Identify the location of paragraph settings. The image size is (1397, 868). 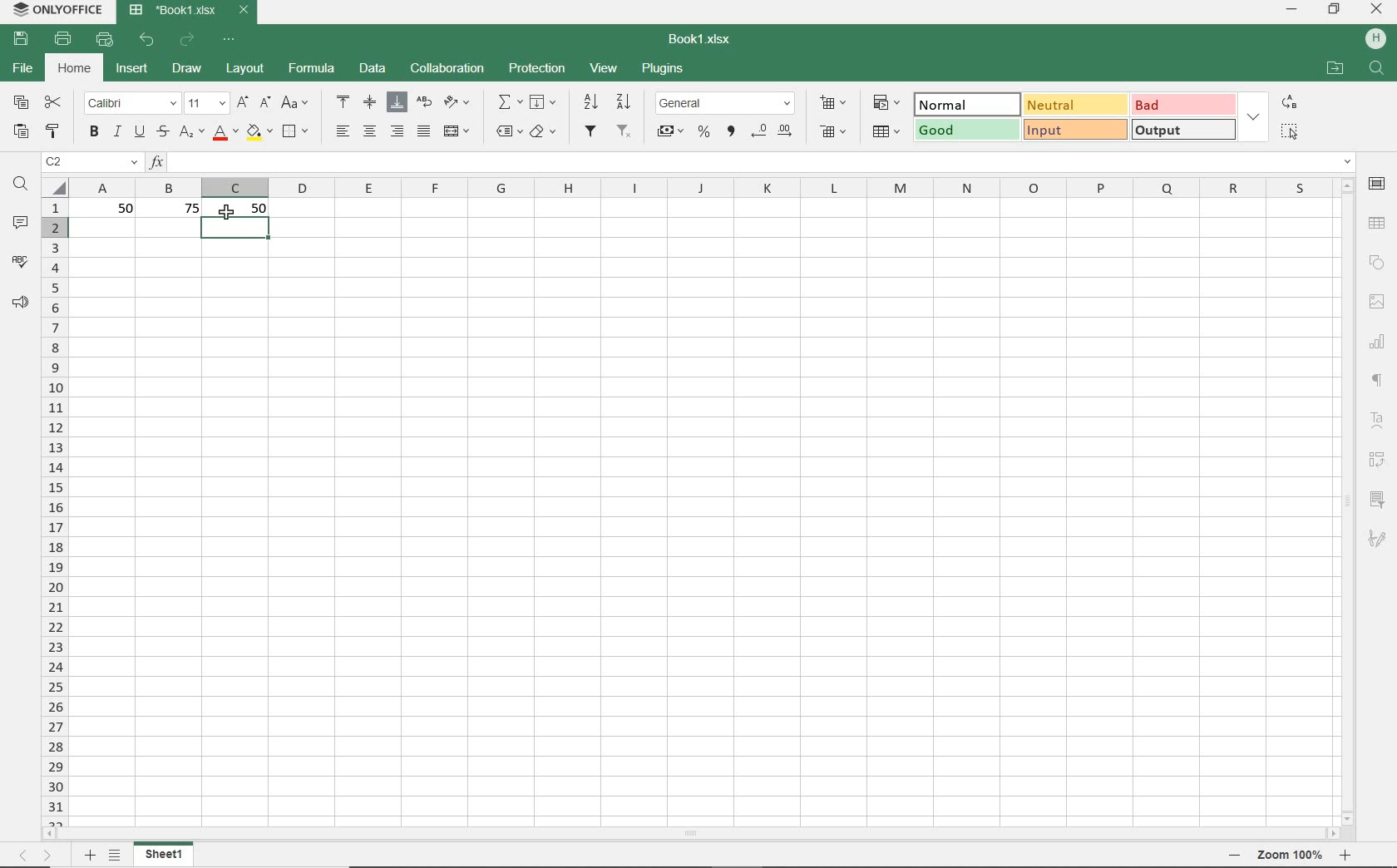
(1379, 380).